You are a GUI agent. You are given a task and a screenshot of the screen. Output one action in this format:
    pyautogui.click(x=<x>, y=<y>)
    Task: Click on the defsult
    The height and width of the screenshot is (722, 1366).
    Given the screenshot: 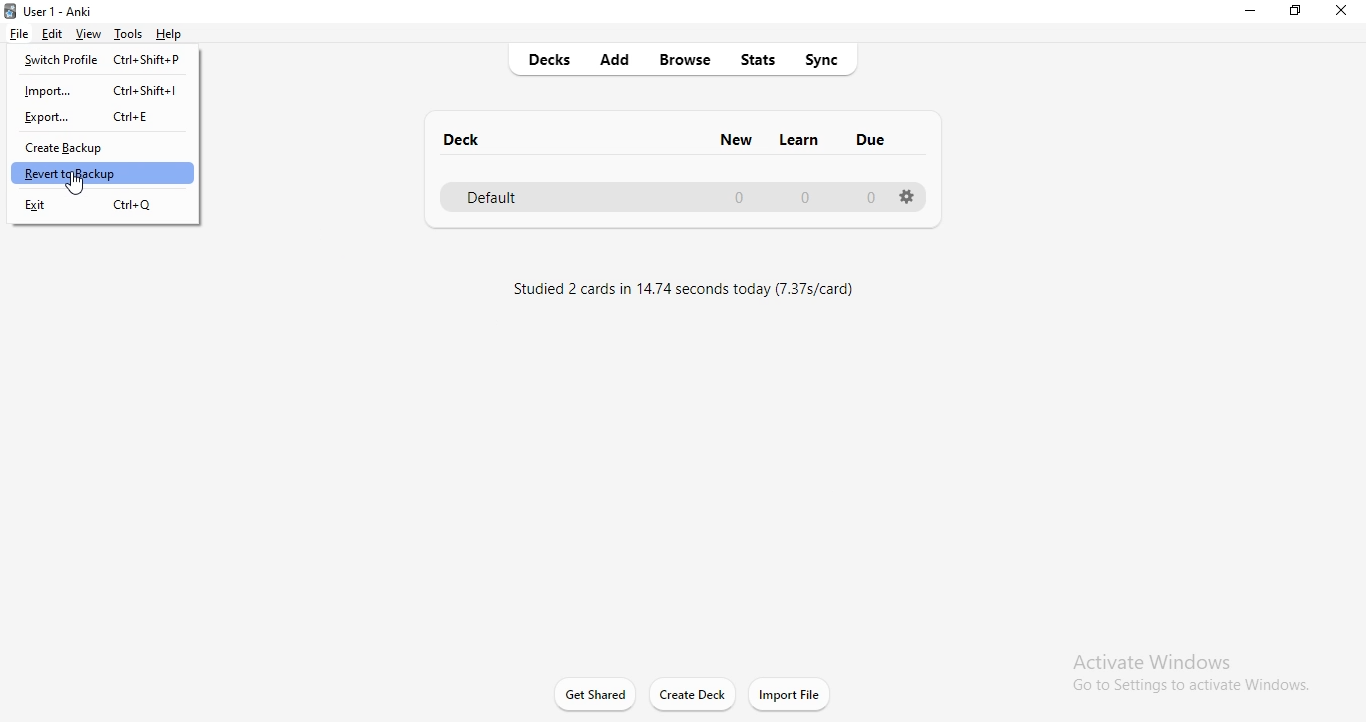 What is the action you would take?
    pyautogui.click(x=671, y=196)
    